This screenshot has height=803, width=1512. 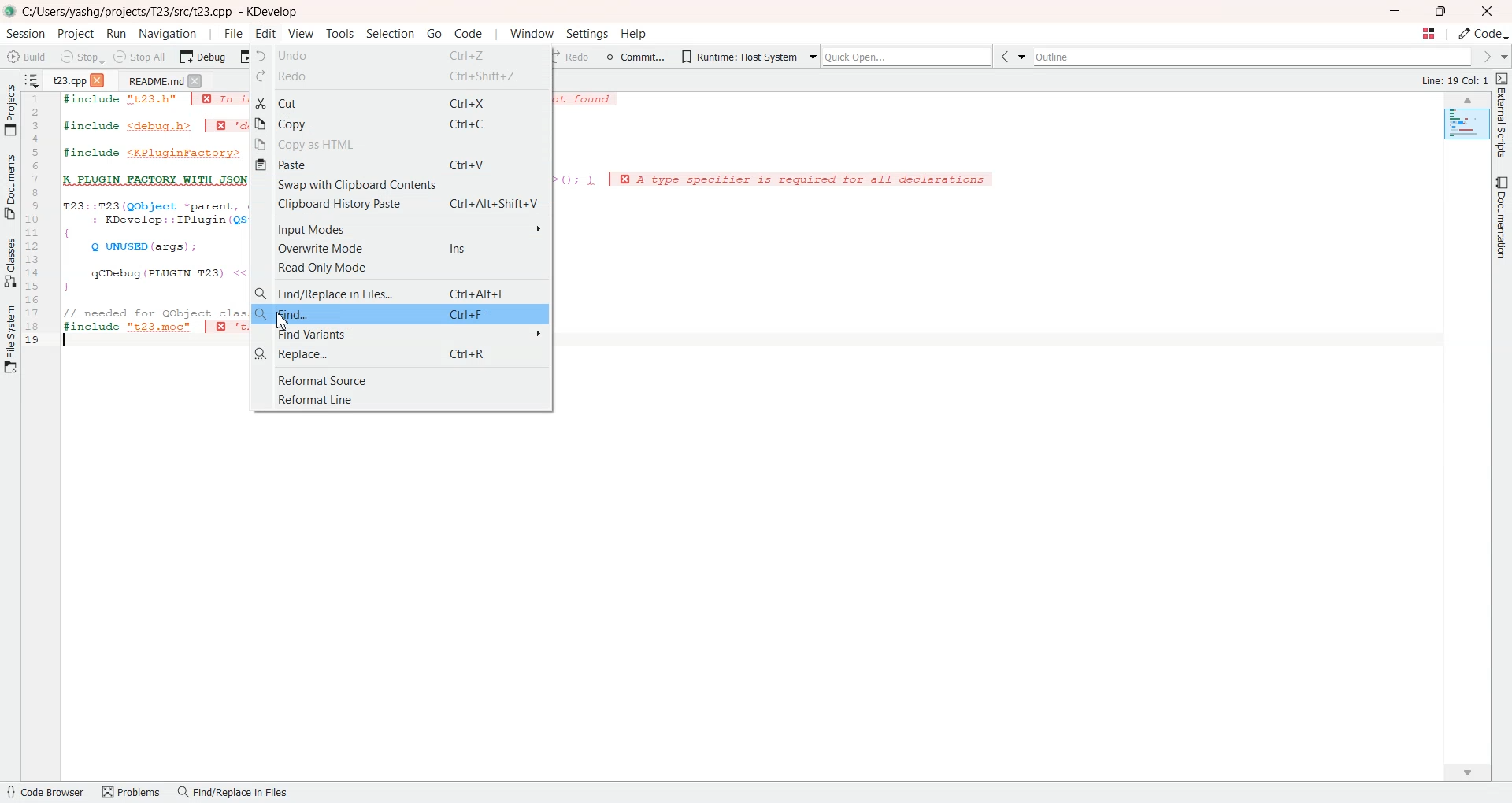 What do you see at coordinates (141, 57) in the screenshot?
I see `Stop All` at bounding box center [141, 57].